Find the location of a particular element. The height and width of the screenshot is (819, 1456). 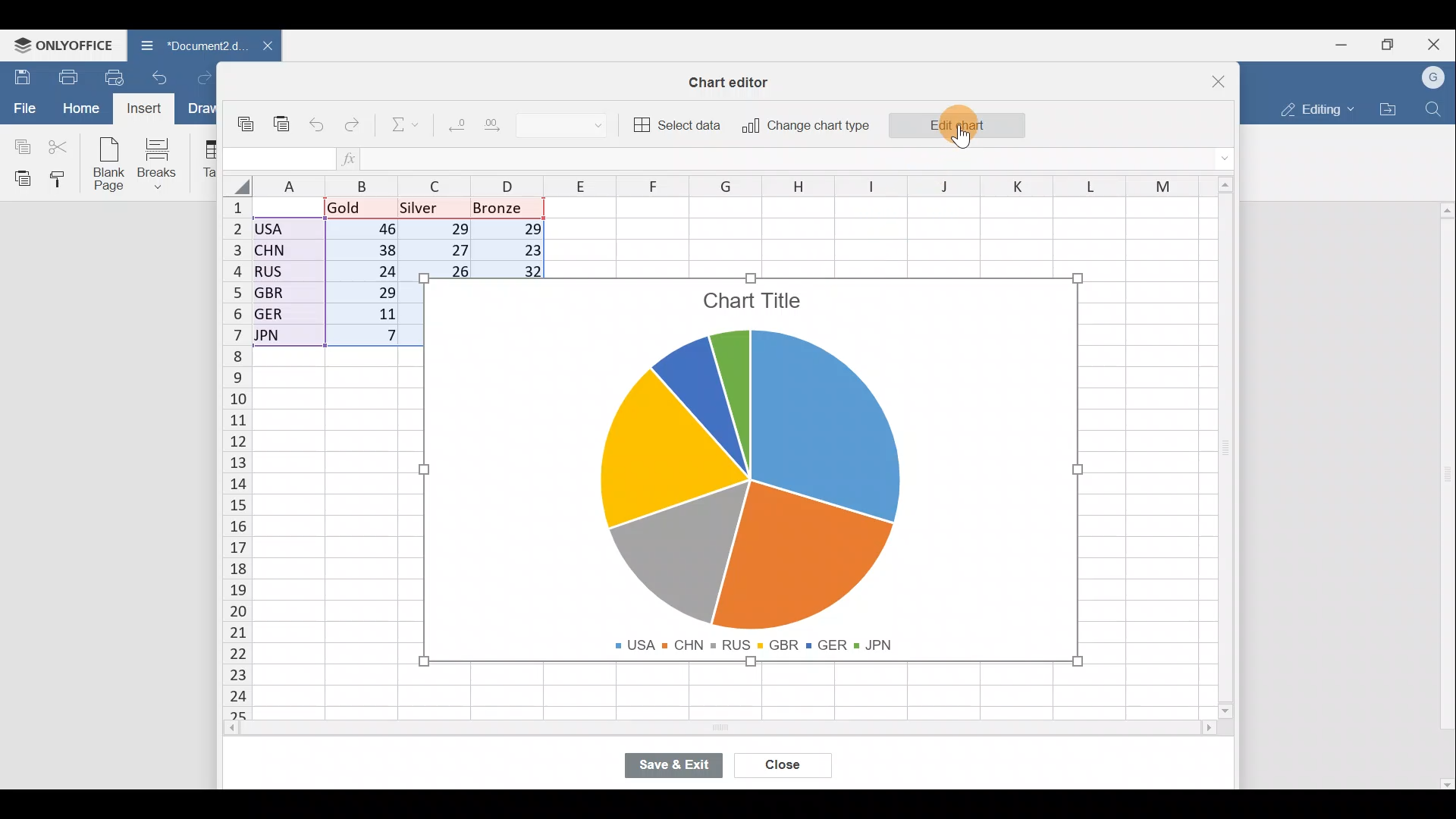

Minimize is located at coordinates (1347, 43).